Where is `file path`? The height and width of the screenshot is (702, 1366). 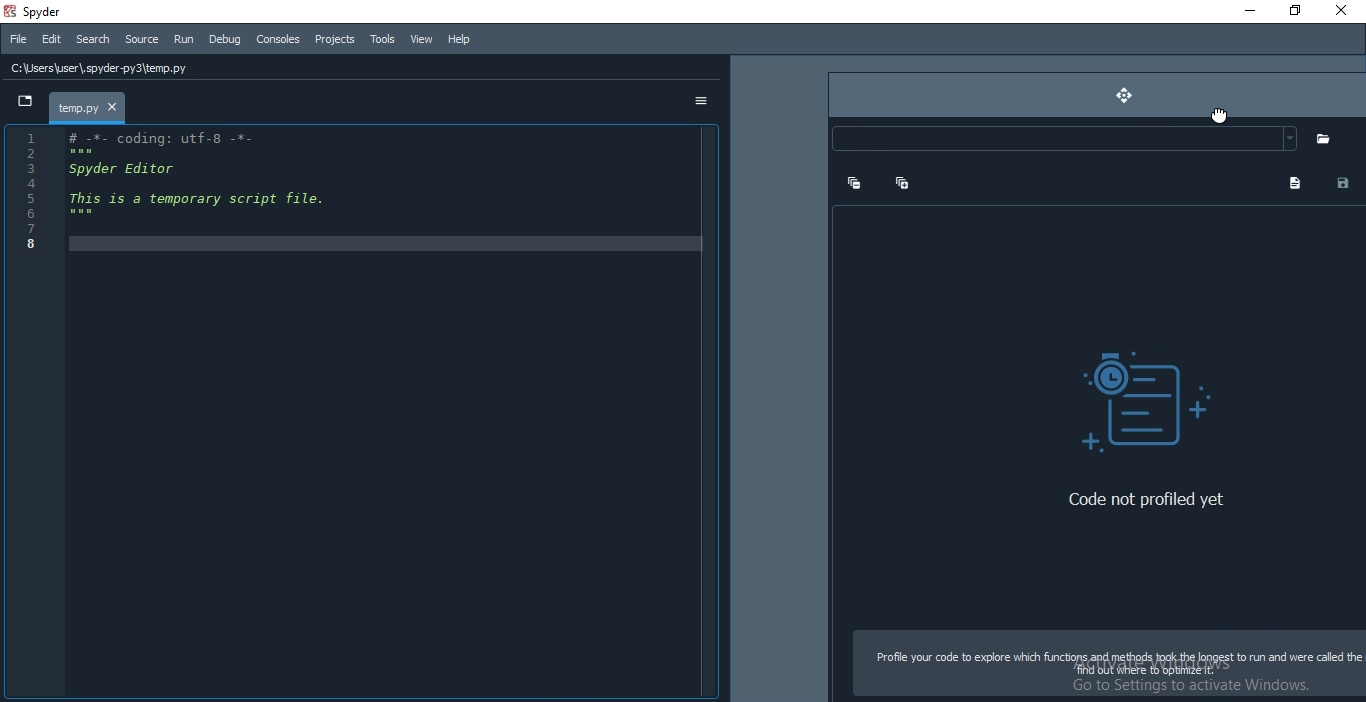 file path is located at coordinates (367, 68).